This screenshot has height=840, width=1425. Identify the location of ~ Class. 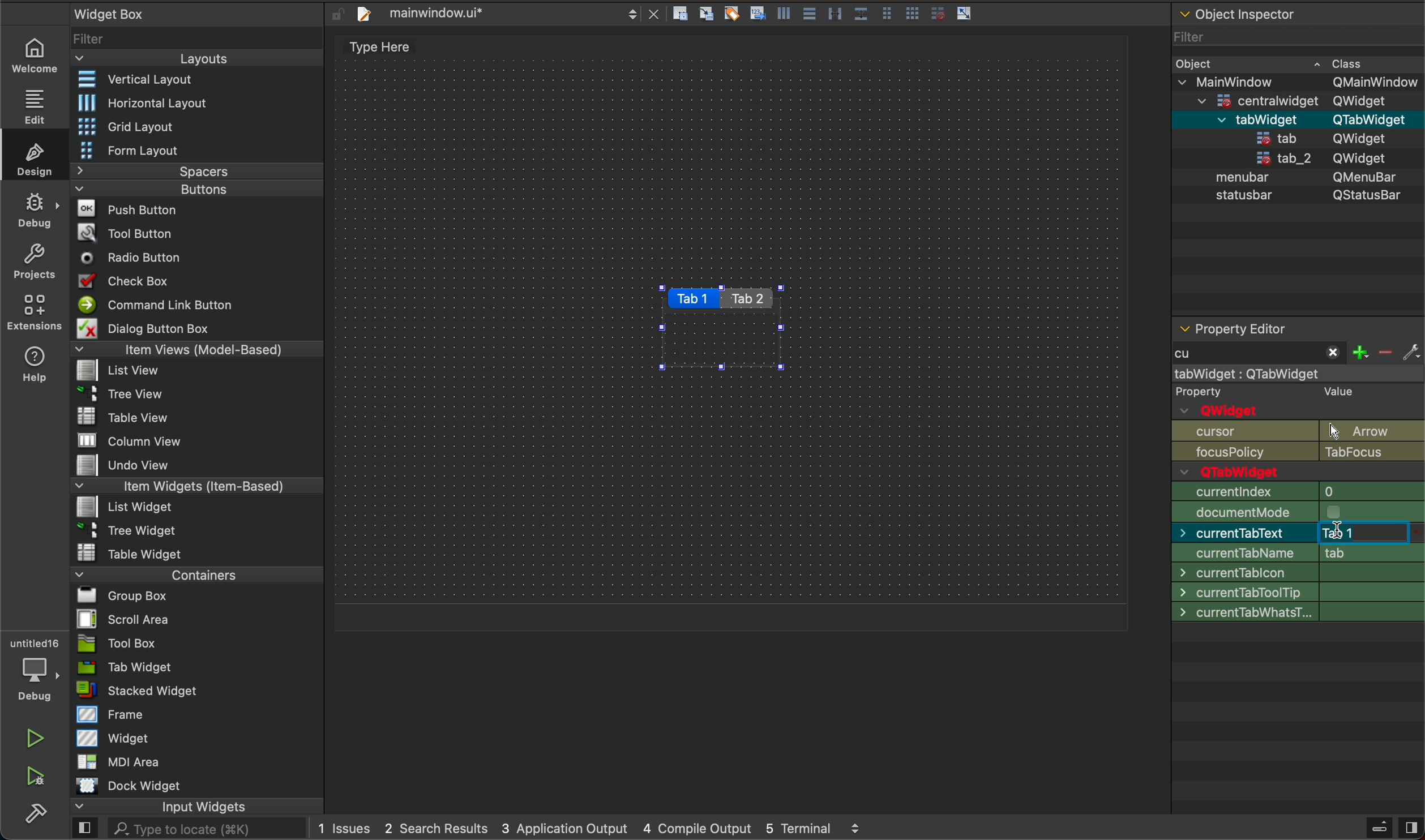
(1342, 60).